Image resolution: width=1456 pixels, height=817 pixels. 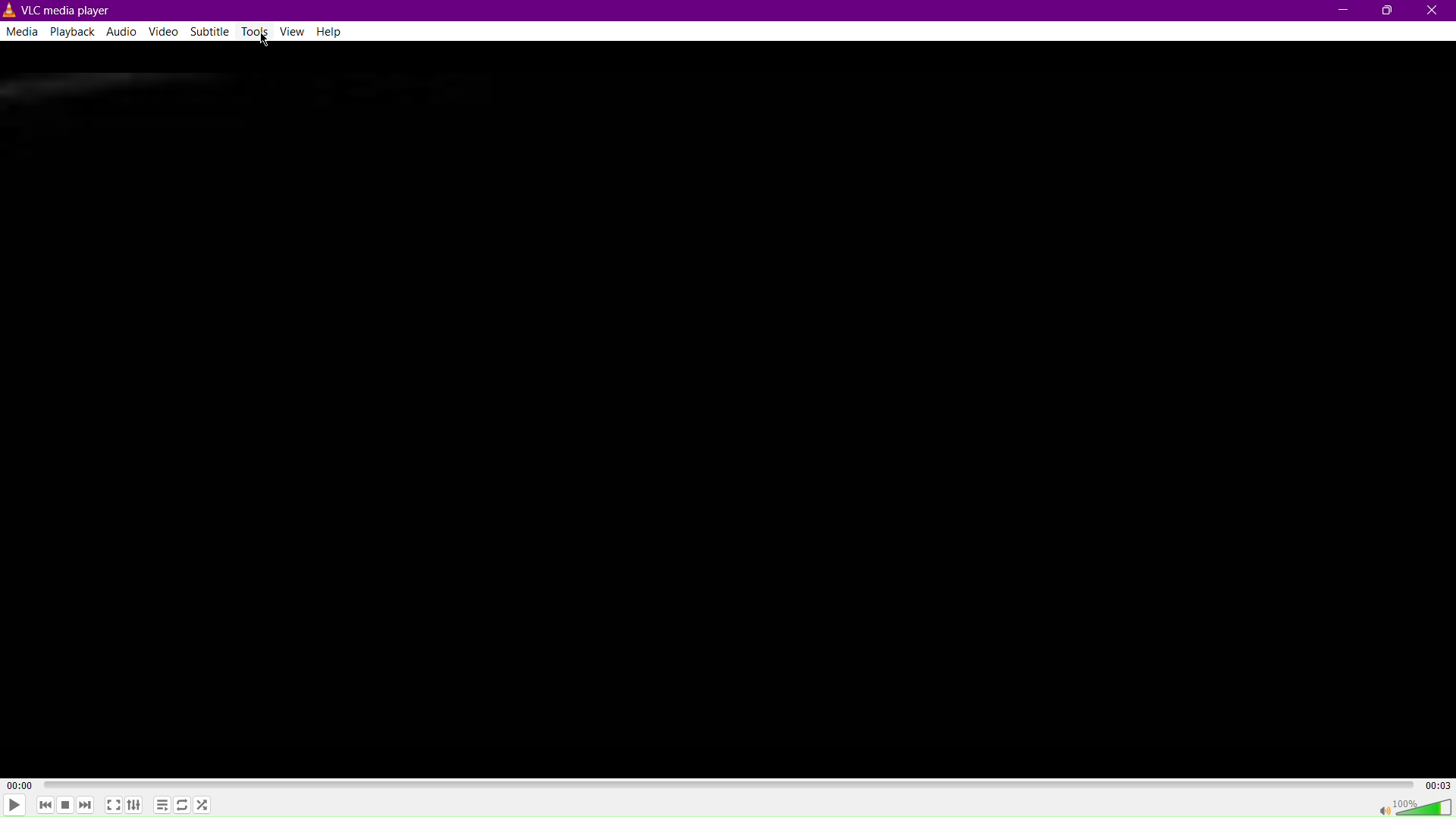 I want to click on Elapsed time, so click(x=17, y=784).